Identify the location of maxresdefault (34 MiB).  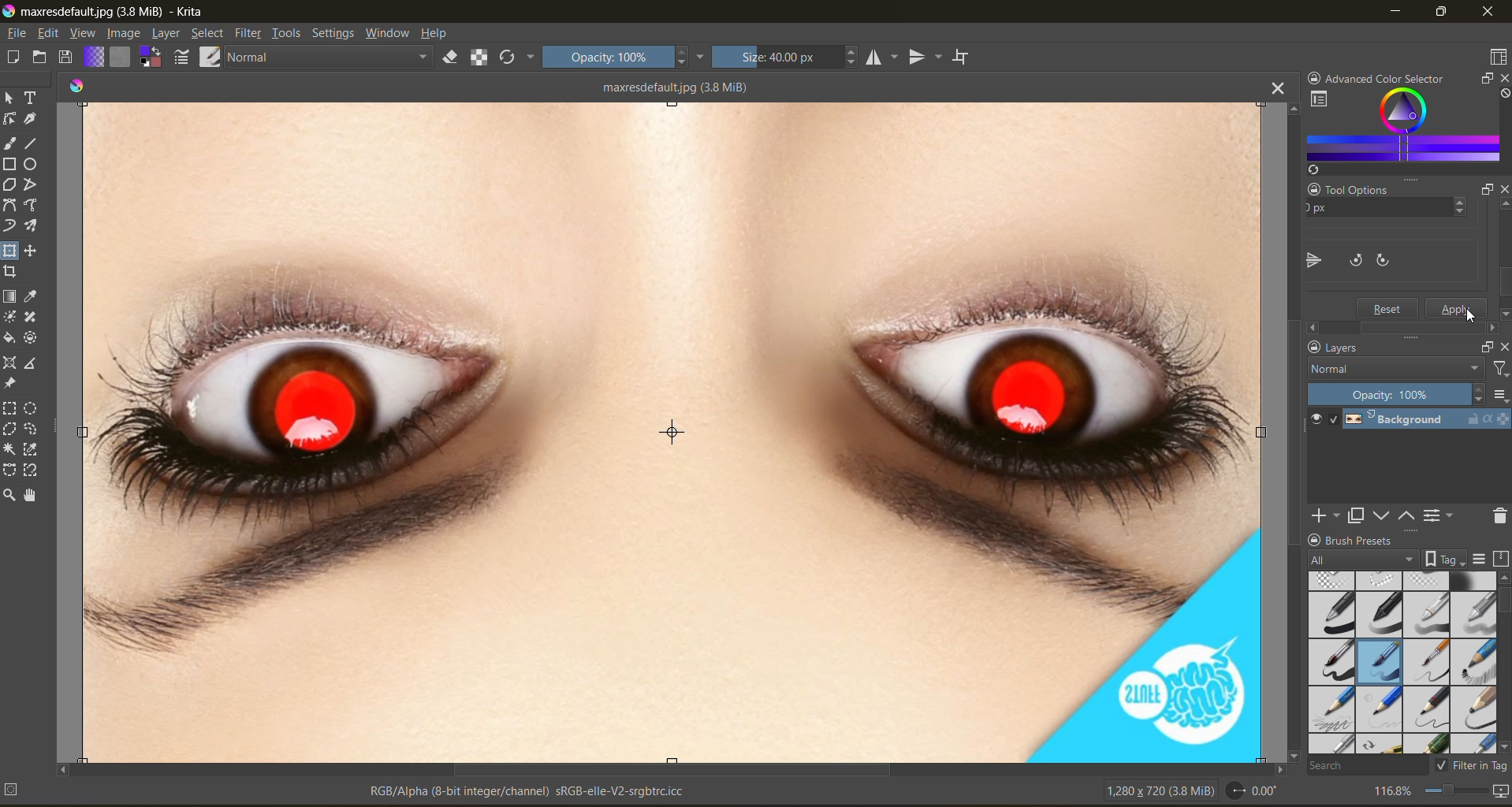
(677, 86).